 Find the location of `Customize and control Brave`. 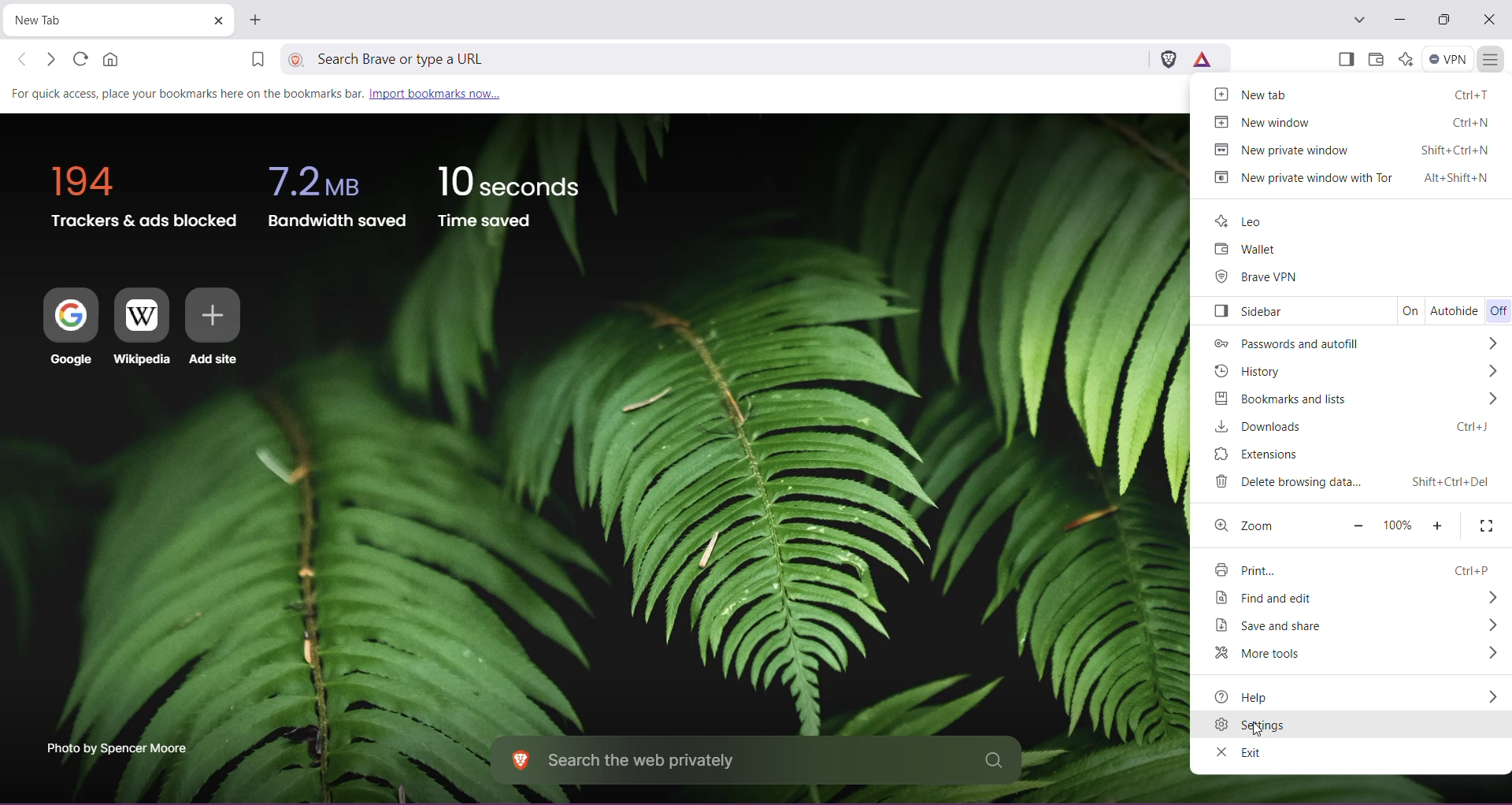

Customize and control Brave is located at coordinates (1490, 61).